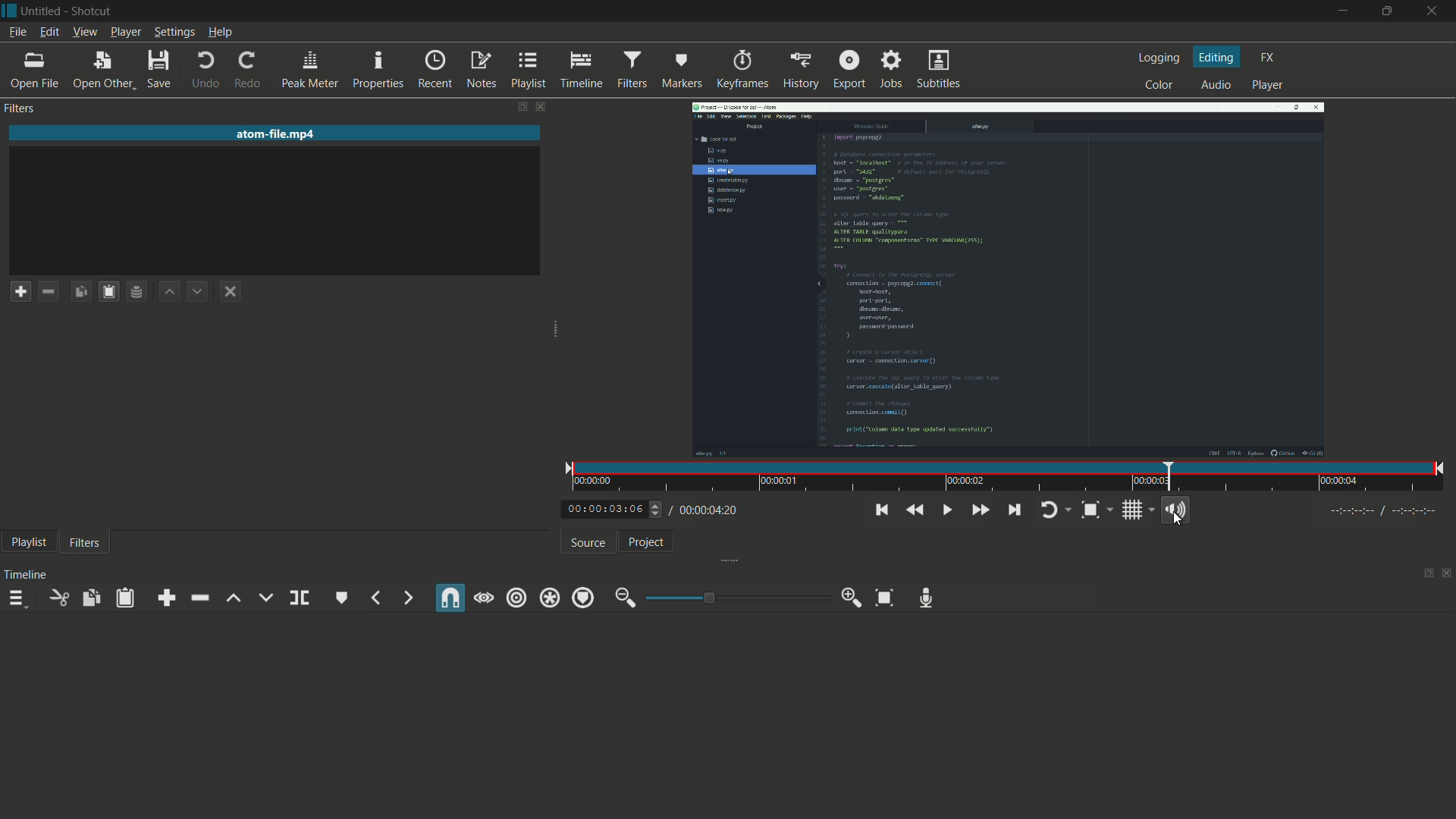 The width and height of the screenshot is (1456, 819). I want to click on This bar represents a timeline in a video, so click(1004, 478).